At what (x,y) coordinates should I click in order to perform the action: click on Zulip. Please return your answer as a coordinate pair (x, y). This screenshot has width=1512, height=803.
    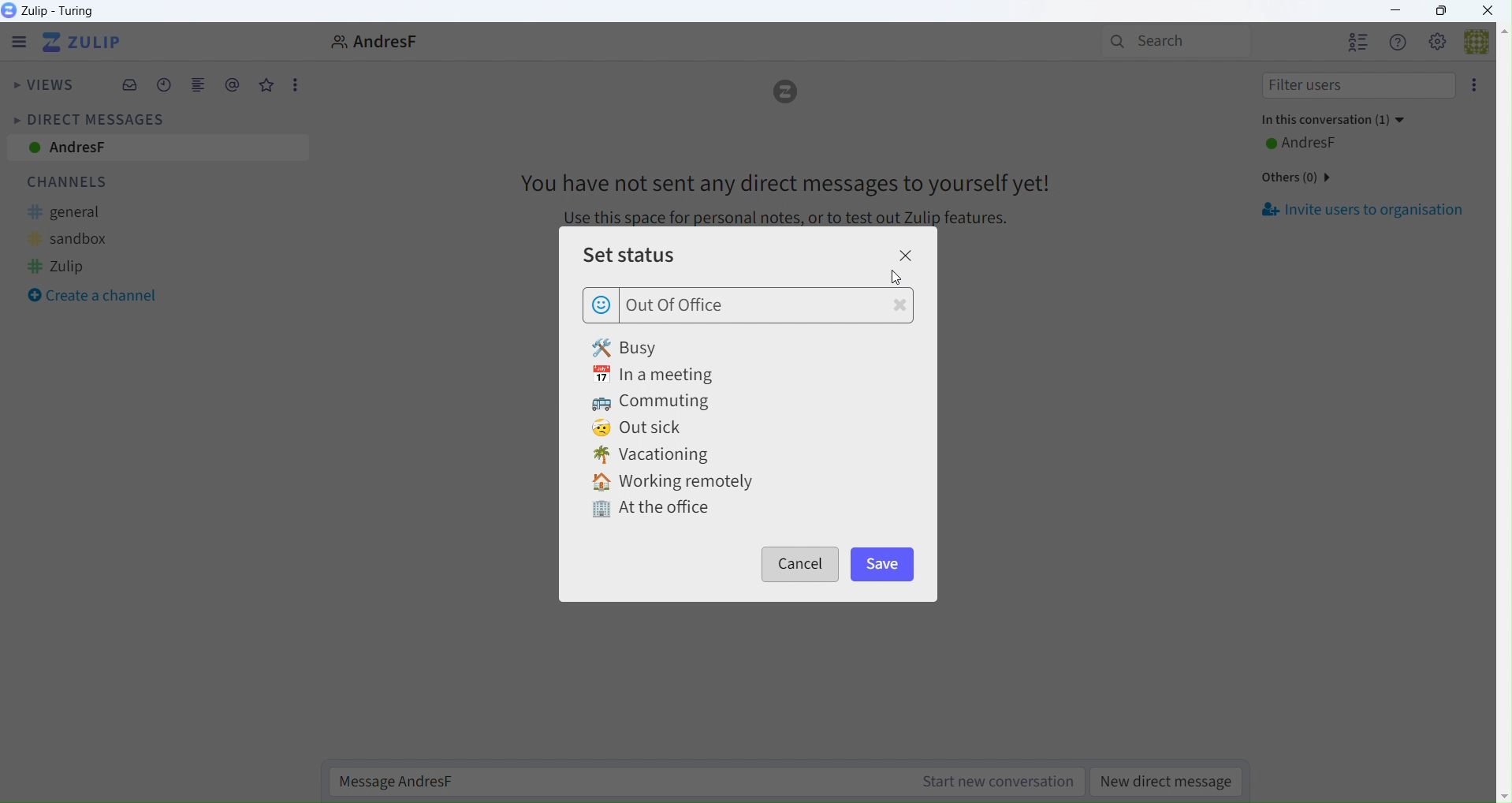
    Looking at the image, I should click on (87, 43).